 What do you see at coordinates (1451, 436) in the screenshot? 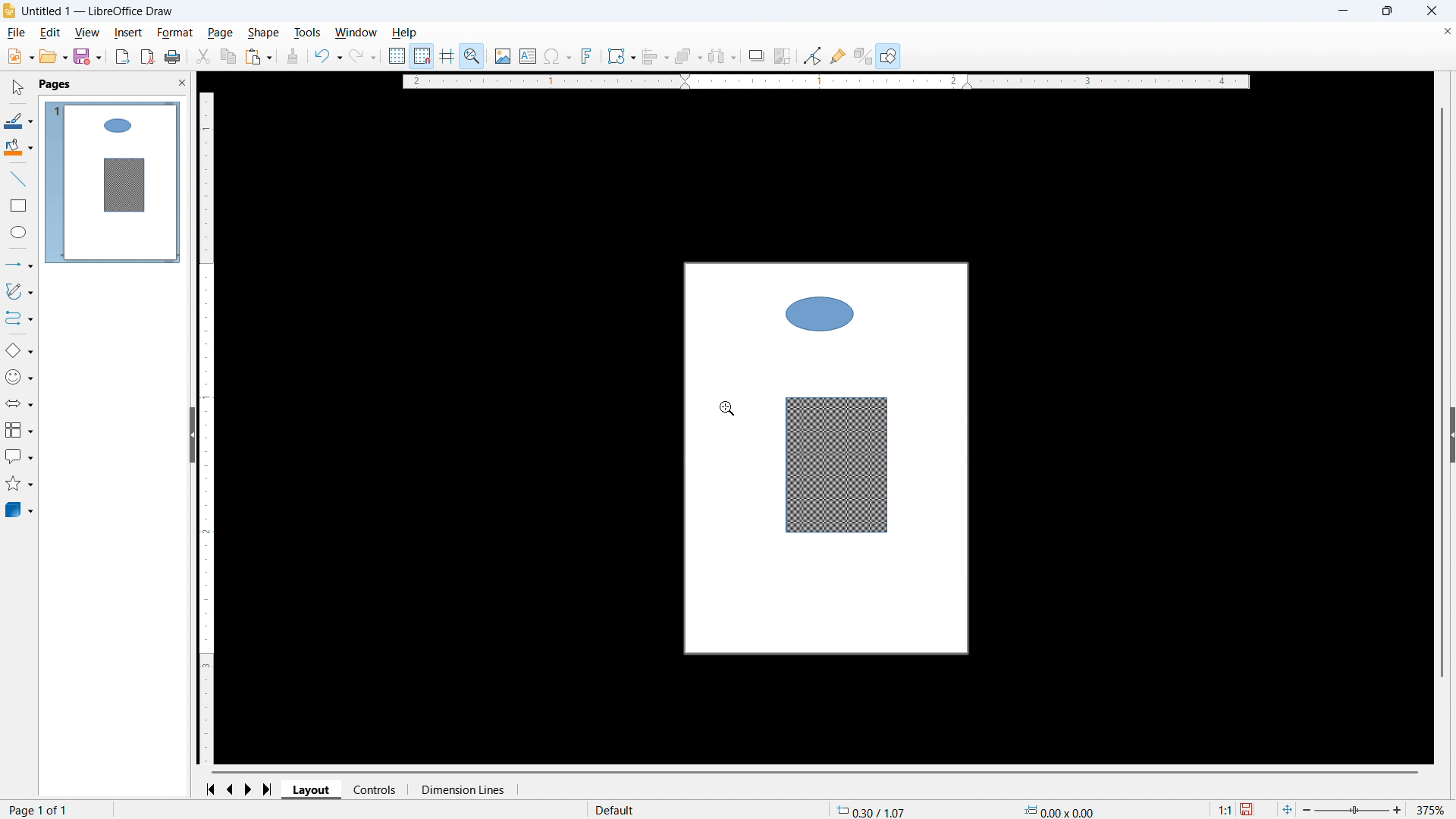
I see `Expand panel ` at bounding box center [1451, 436].